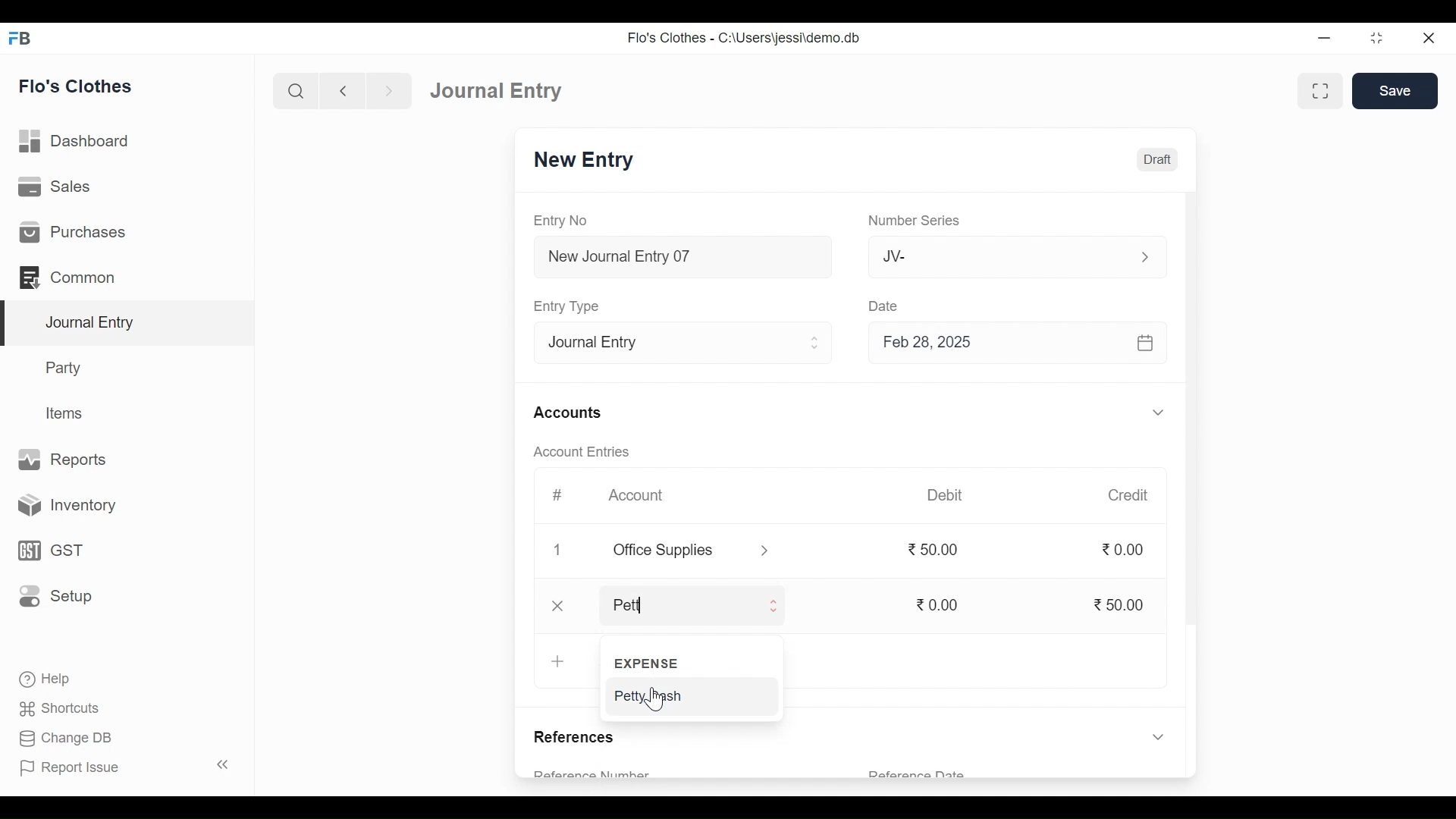 The width and height of the screenshot is (1456, 819). I want to click on Party, so click(66, 367).